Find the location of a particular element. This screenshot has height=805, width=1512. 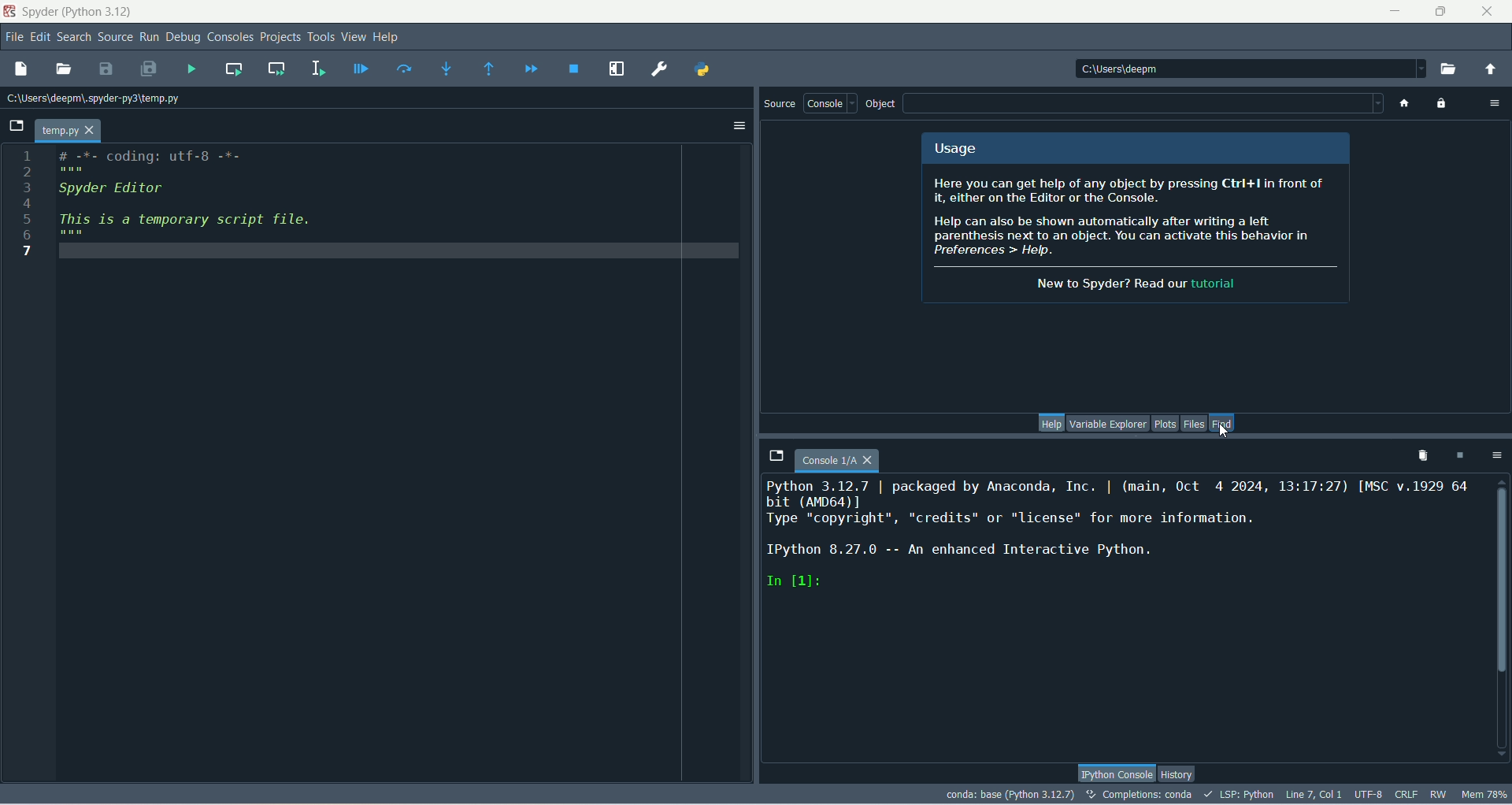

run selection is located at coordinates (320, 68).